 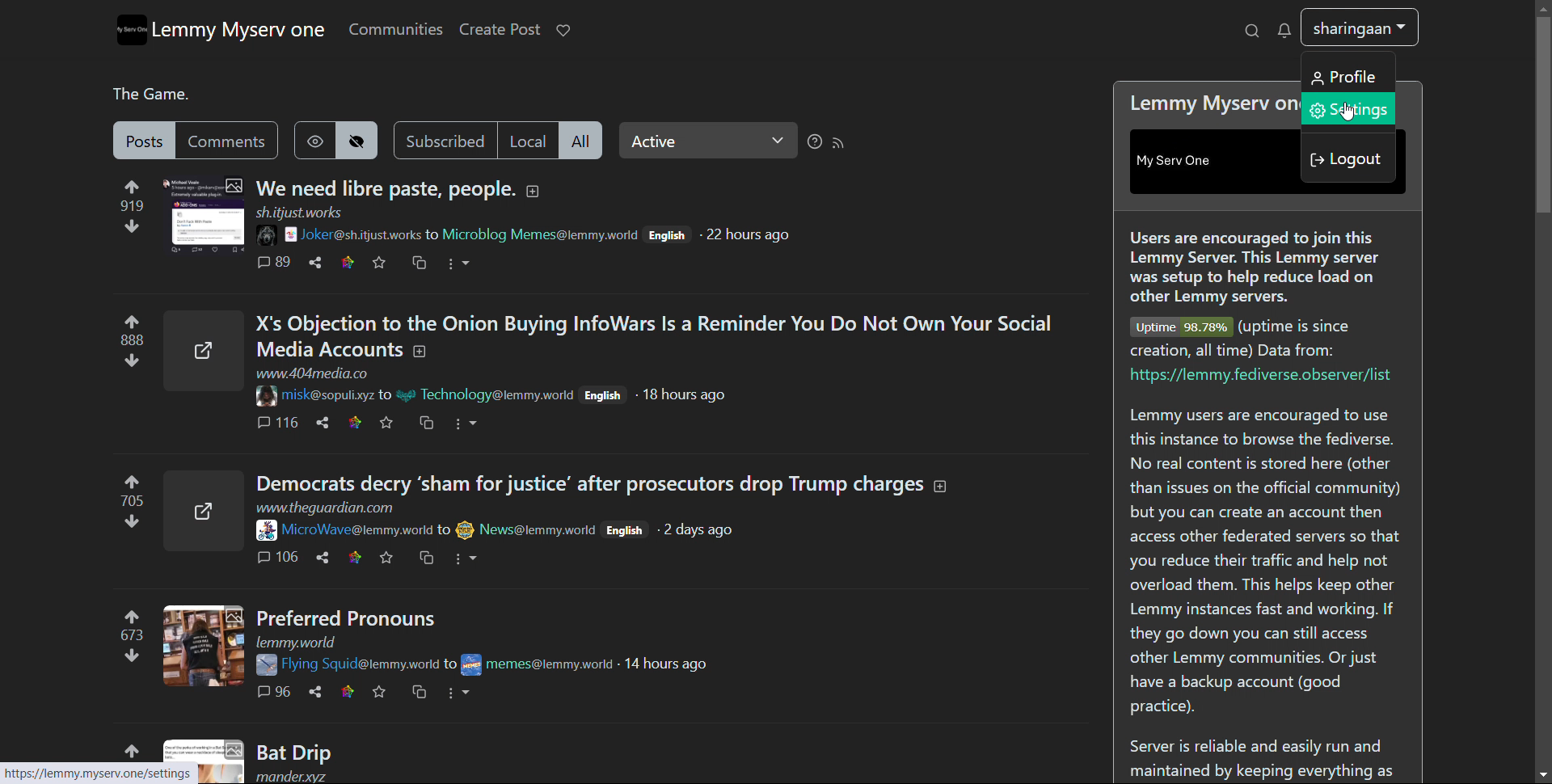 I want to click on poster username, so click(x=327, y=394).